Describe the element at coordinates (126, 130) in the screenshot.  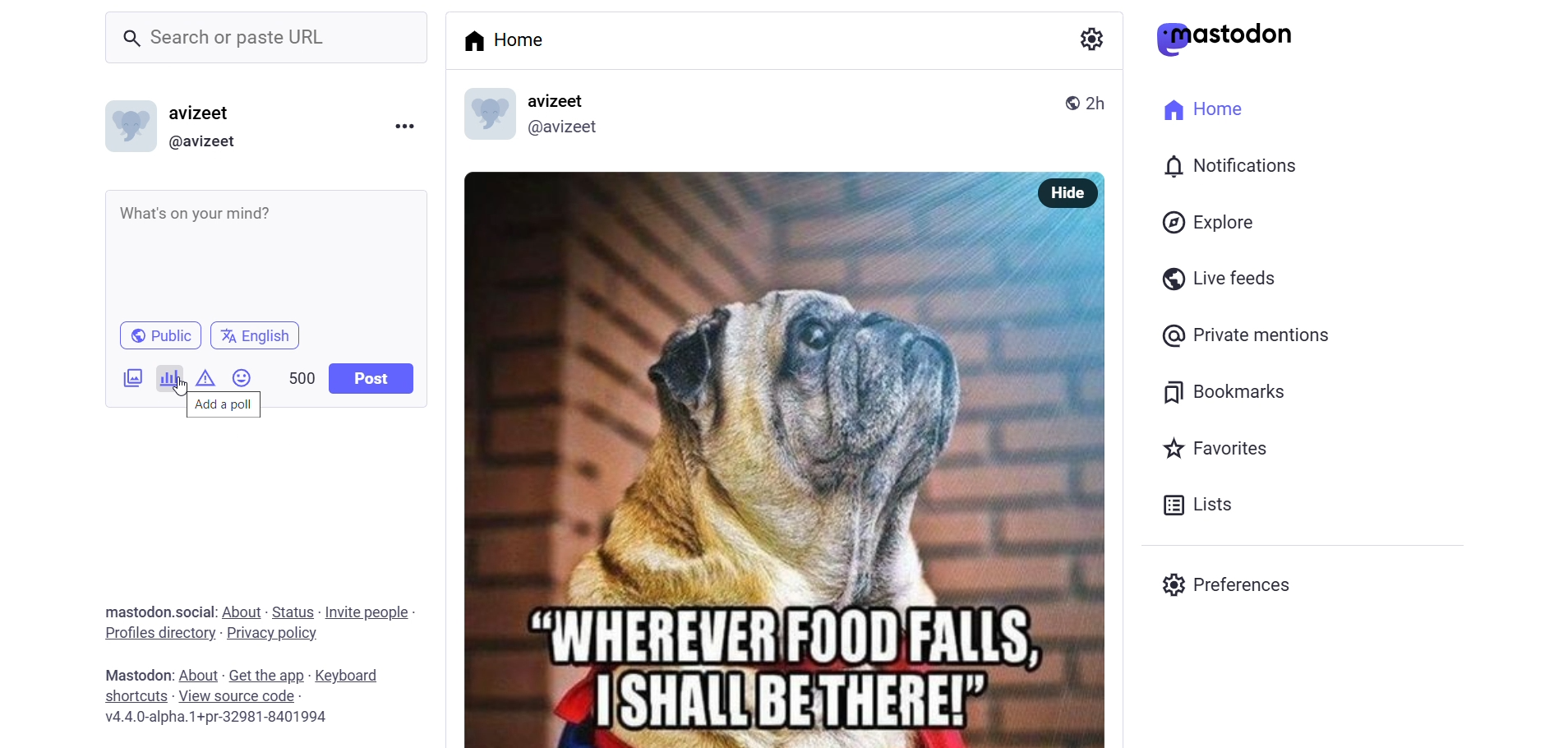
I see `id` at that location.